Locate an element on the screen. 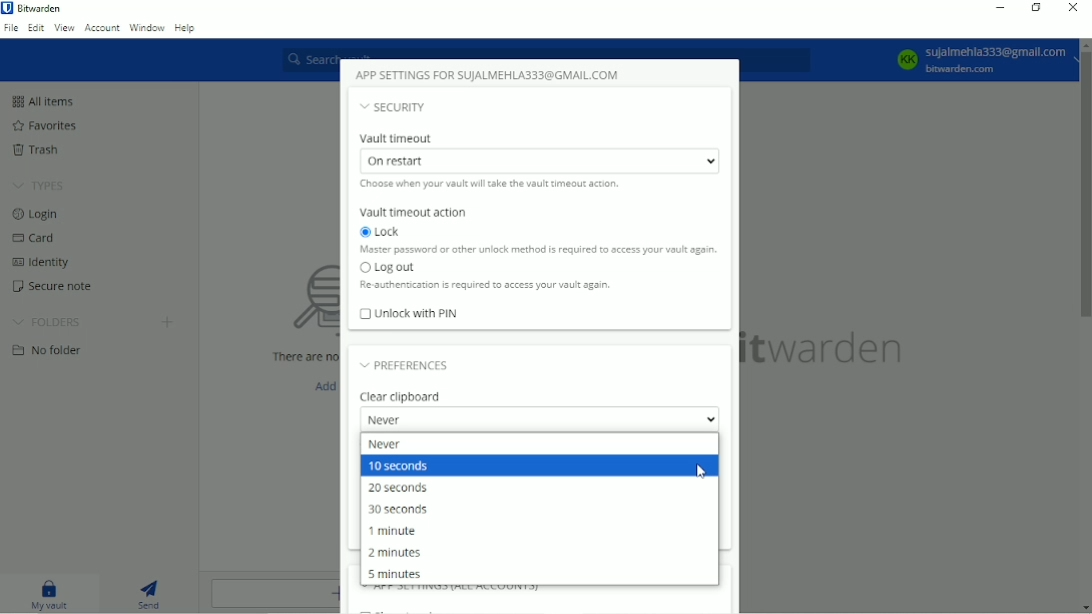  Vertical scrollbar is located at coordinates (1085, 192).